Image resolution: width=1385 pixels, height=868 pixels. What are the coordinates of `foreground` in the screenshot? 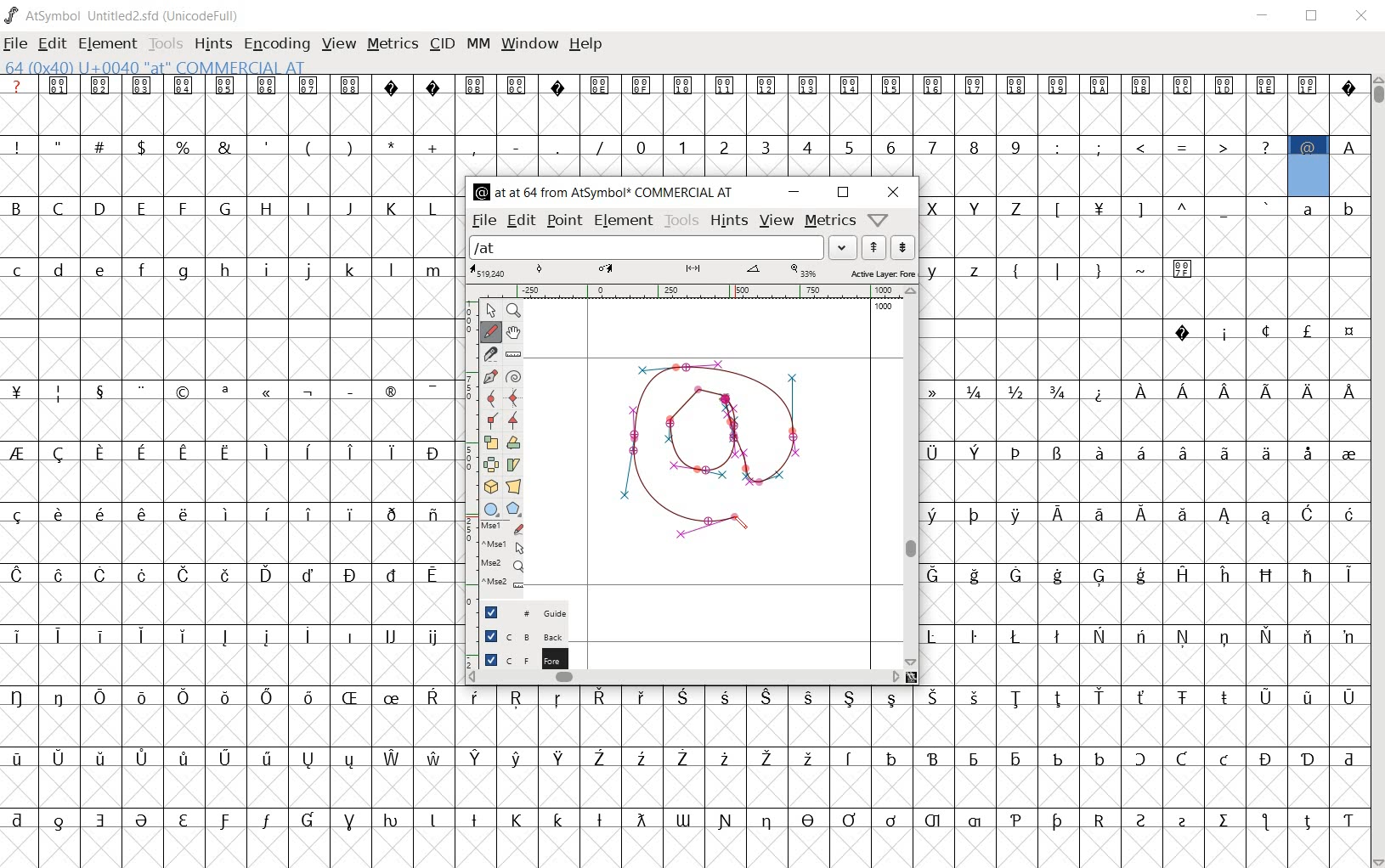 It's located at (540, 656).